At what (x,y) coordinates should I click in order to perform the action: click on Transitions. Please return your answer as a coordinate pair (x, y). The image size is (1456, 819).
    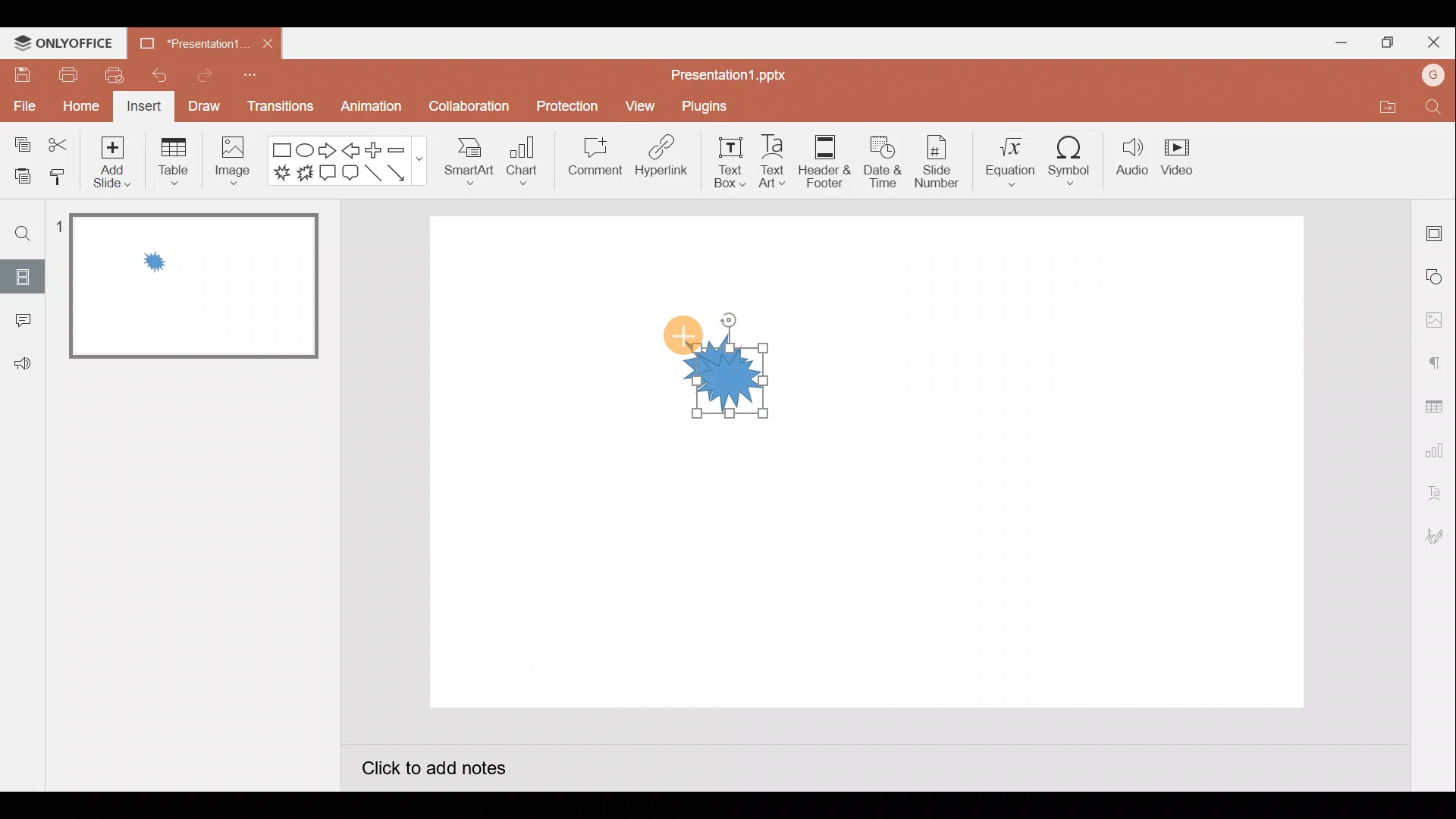
    Looking at the image, I should click on (278, 106).